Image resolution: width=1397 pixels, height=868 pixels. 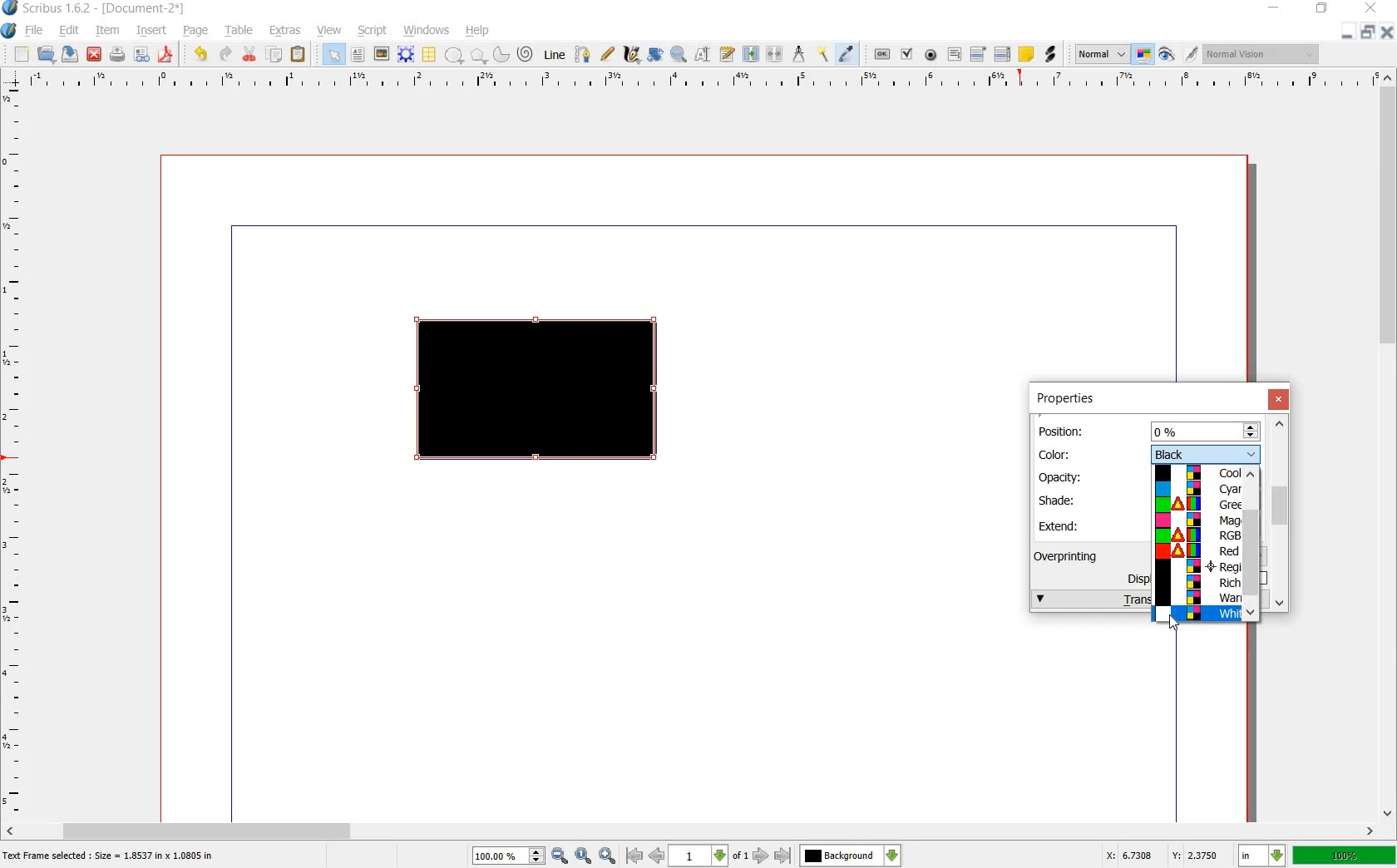 What do you see at coordinates (1345, 855) in the screenshot?
I see `100%` at bounding box center [1345, 855].